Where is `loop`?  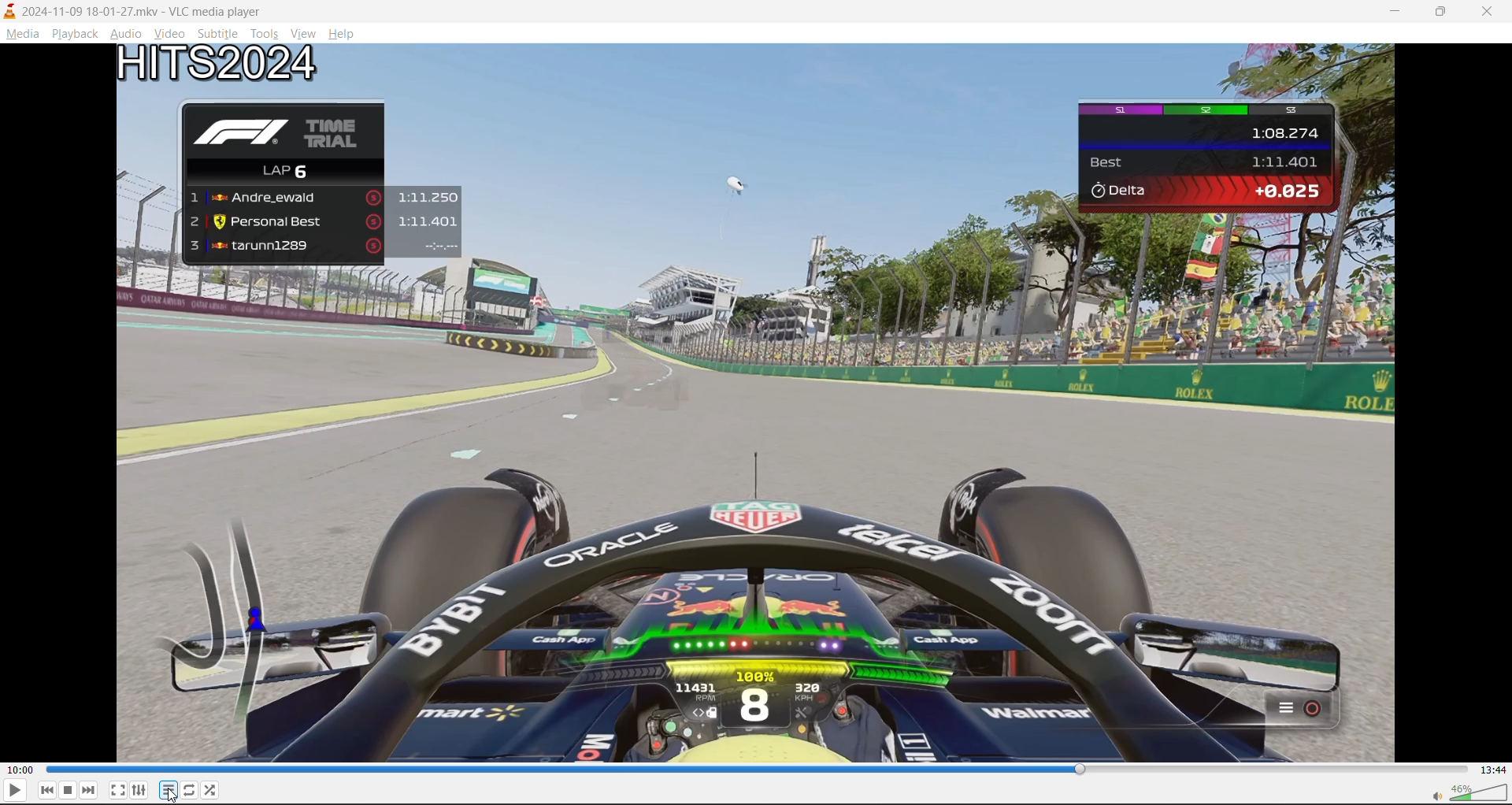 loop is located at coordinates (188, 789).